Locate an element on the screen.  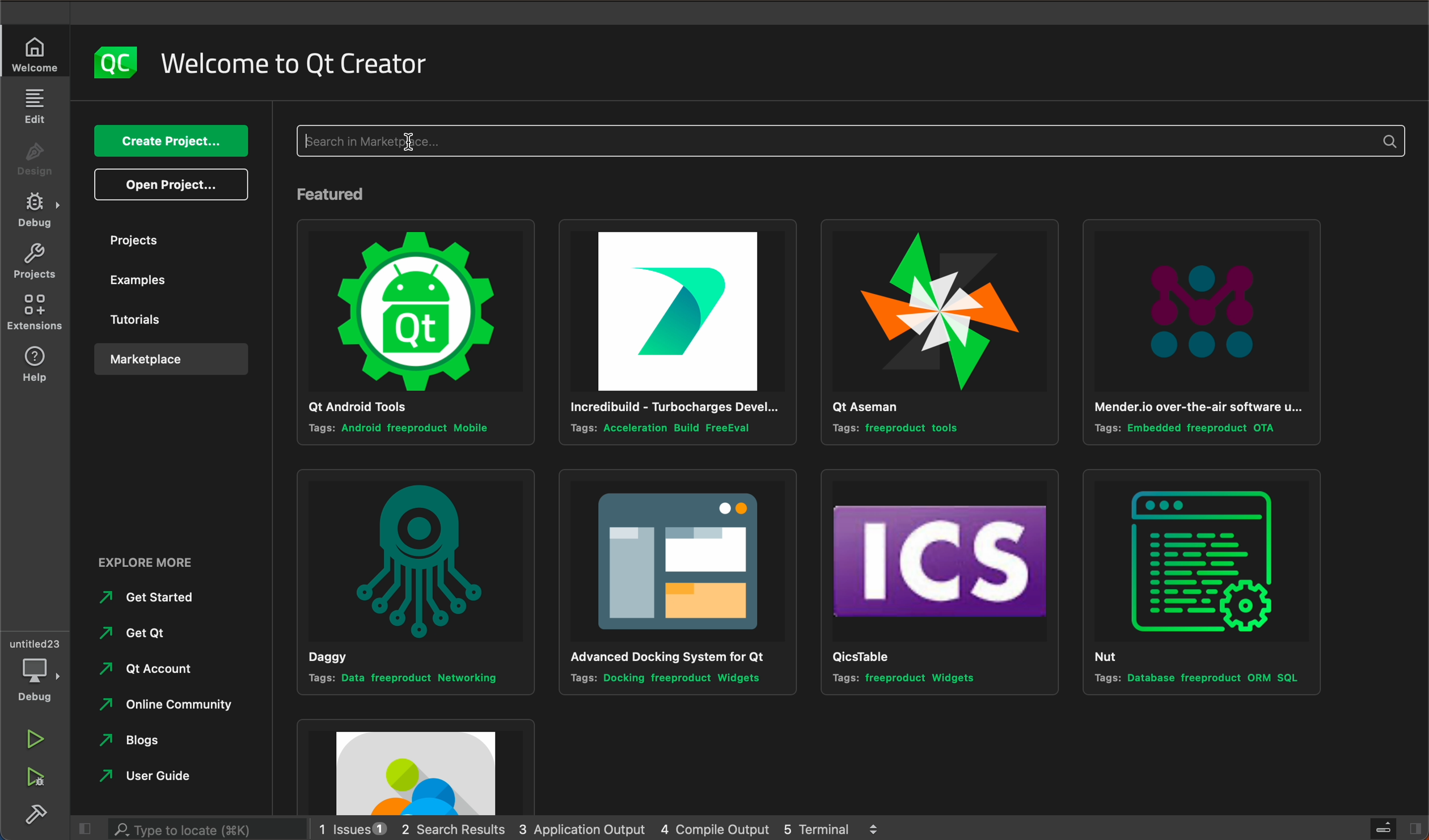
search is located at coordinates (204, 830).